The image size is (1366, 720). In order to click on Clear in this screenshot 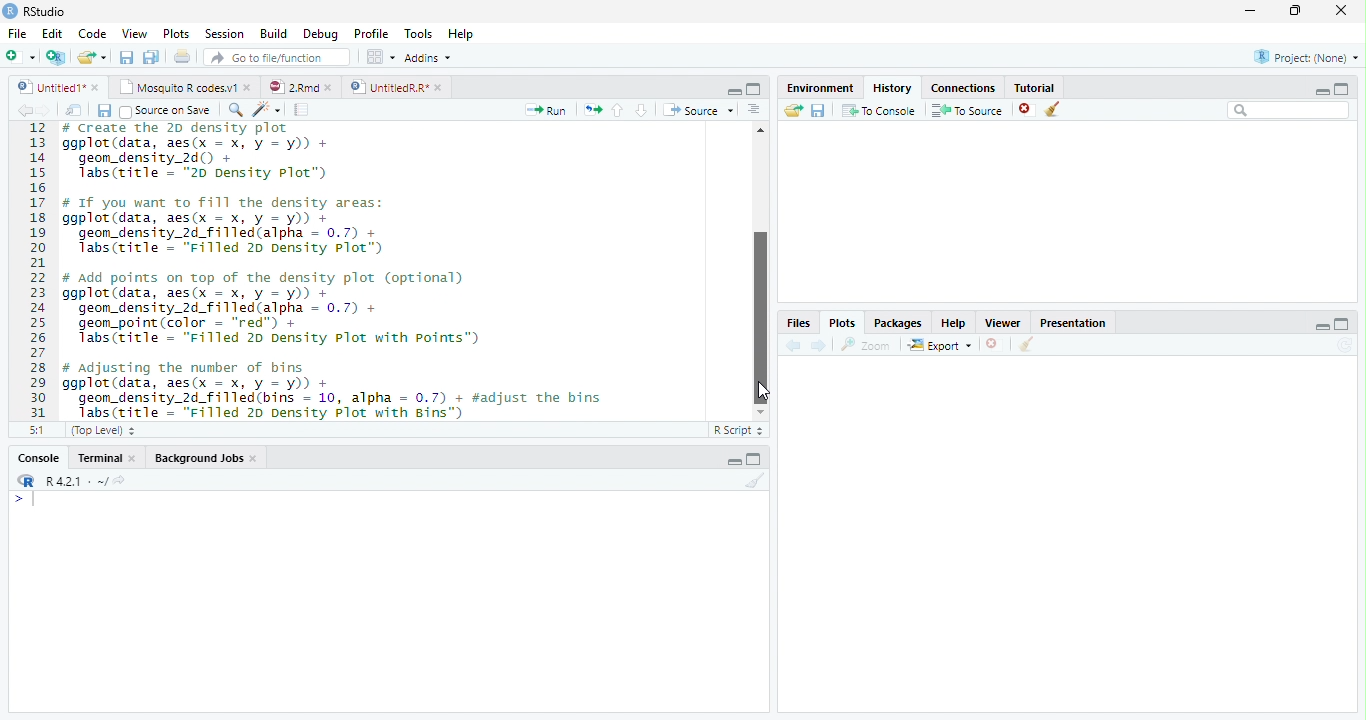, I will do `click(756, 480)`.